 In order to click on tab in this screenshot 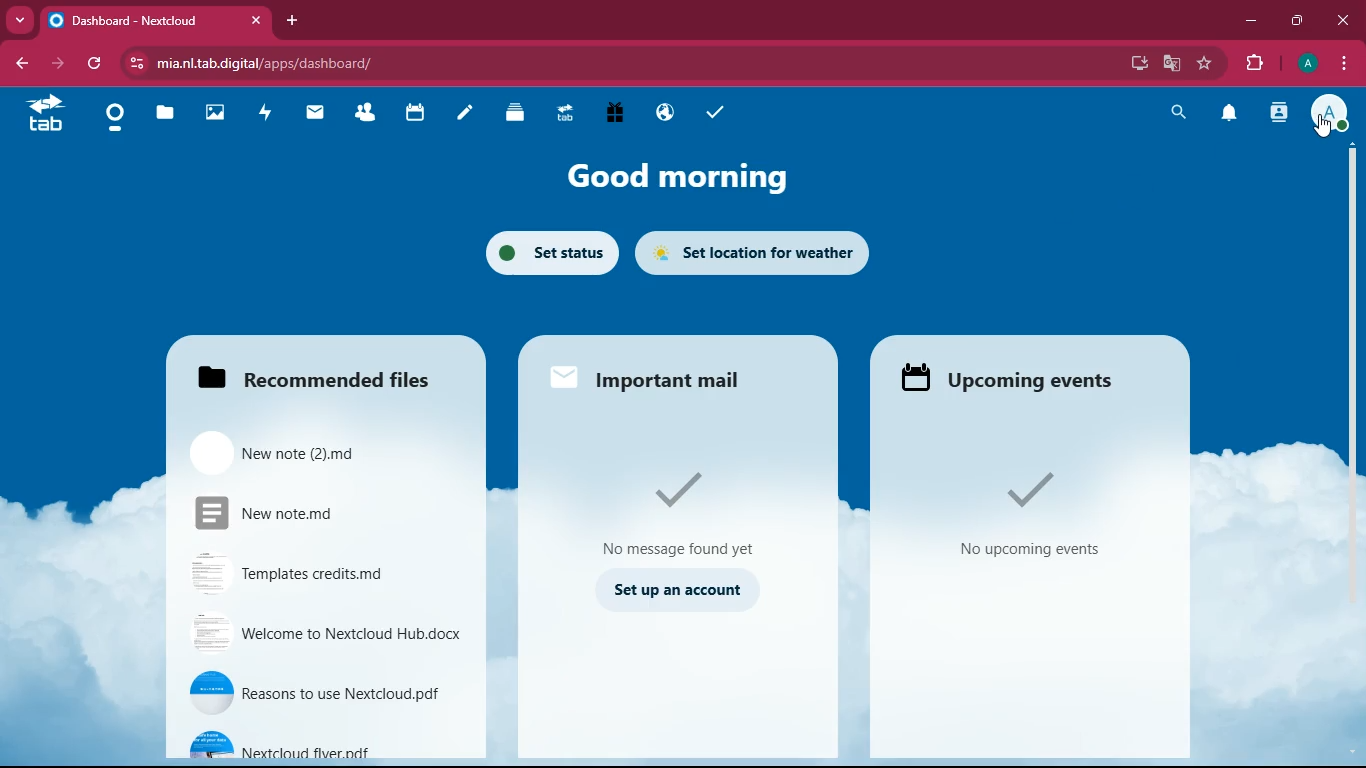, I will do `click(50, 116)`.